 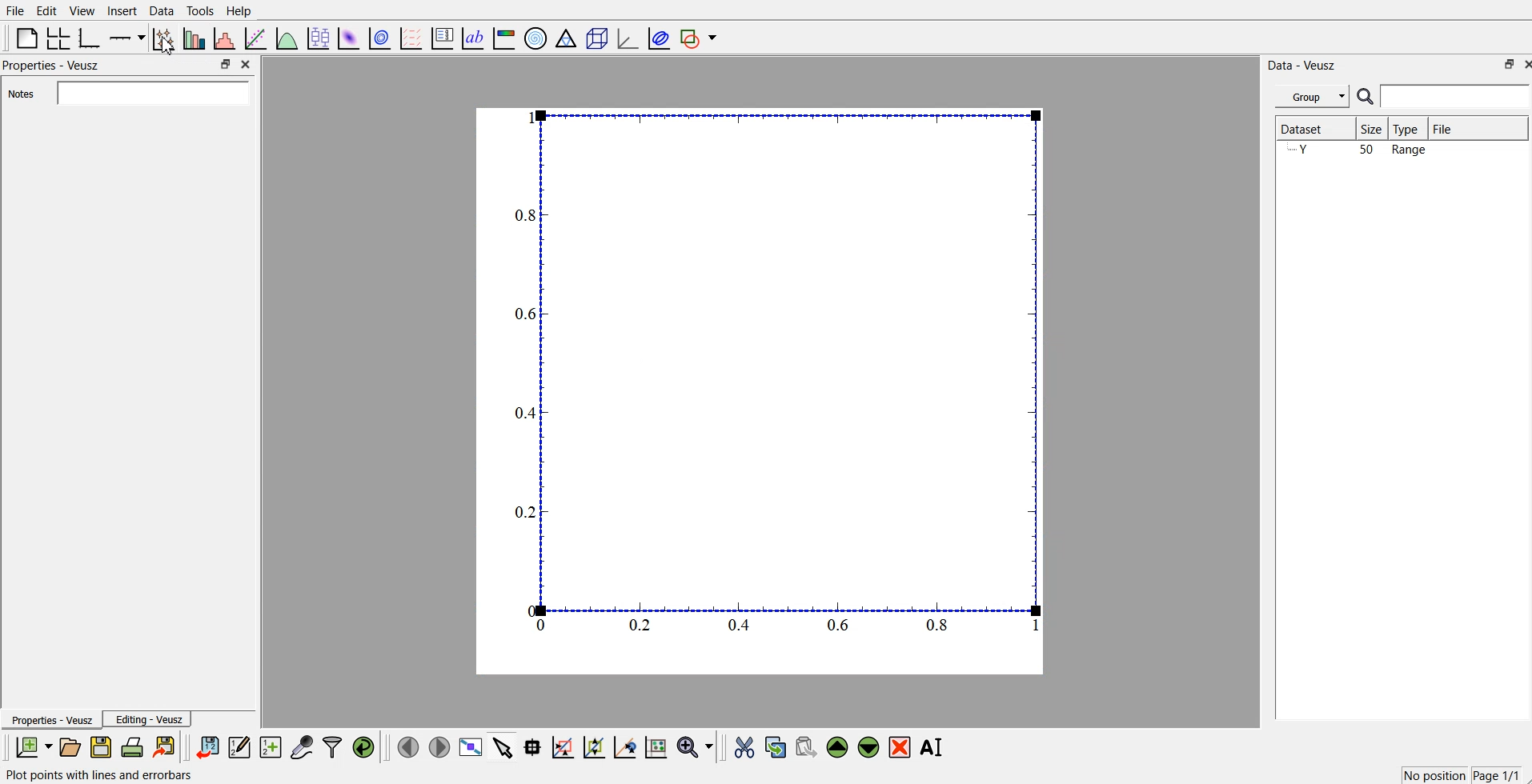 I want to click on no position, so click(x=1432, y=774).